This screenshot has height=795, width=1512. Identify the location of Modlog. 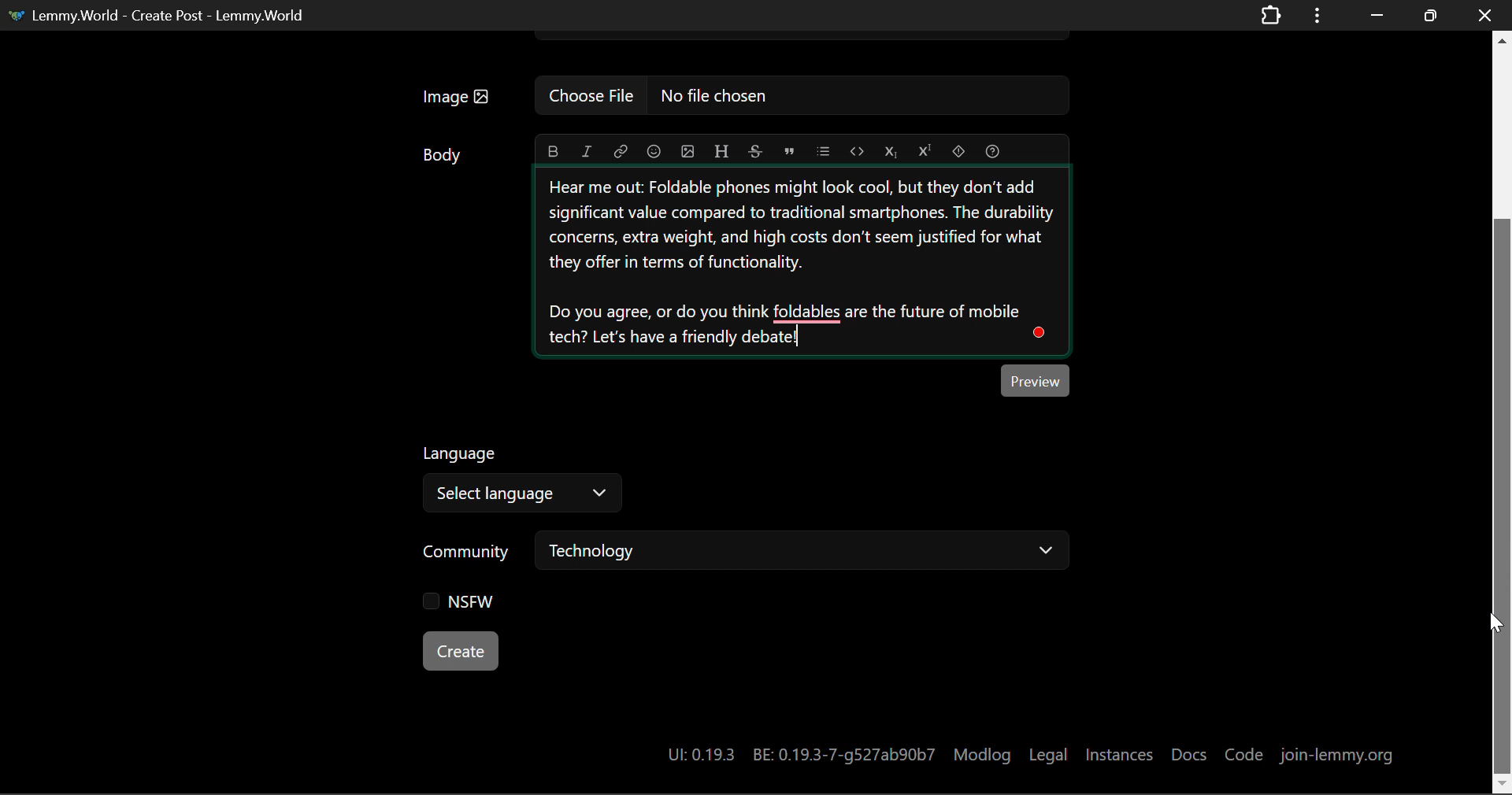
(982, 753).